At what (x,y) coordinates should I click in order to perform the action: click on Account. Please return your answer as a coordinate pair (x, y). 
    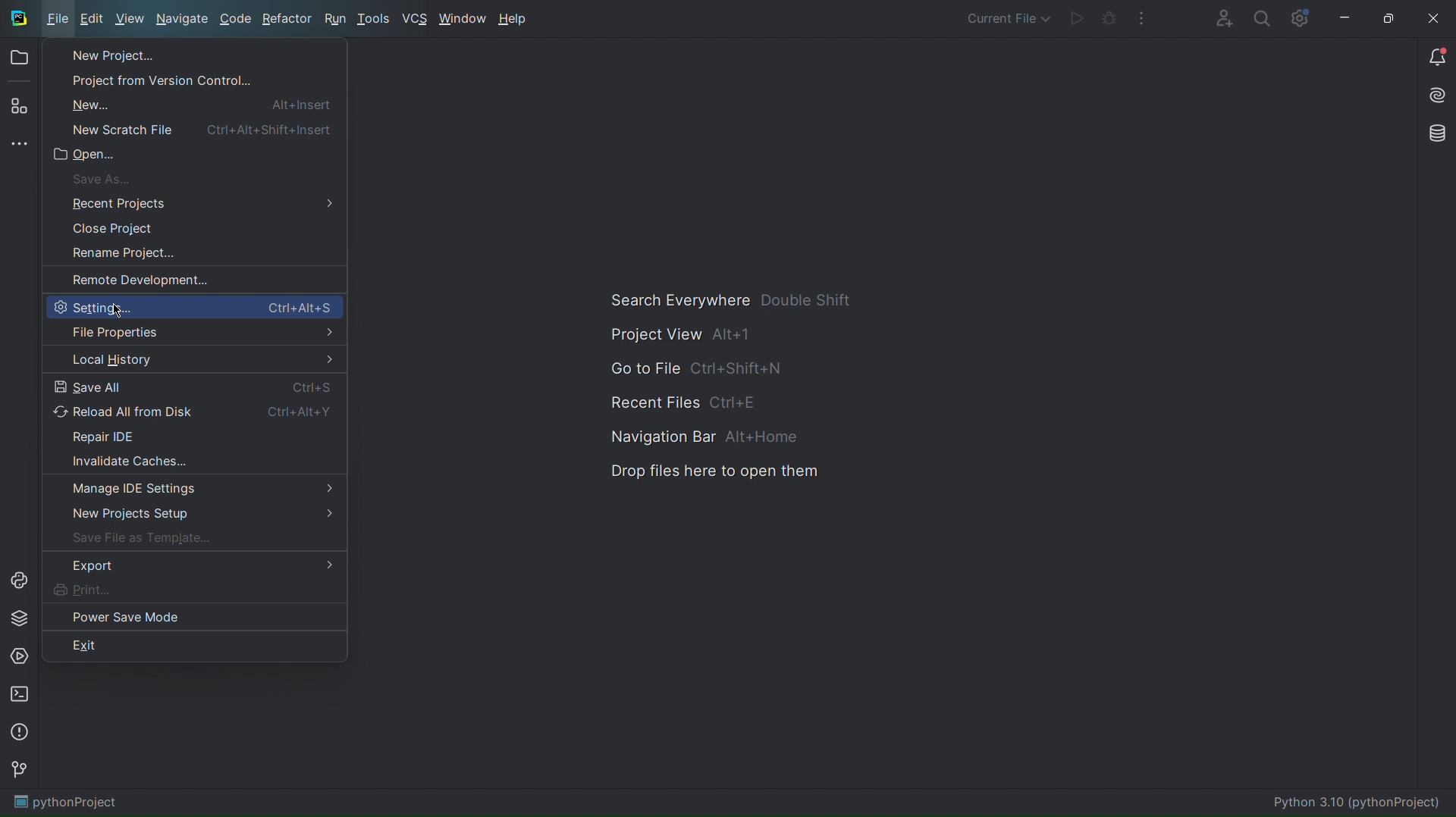
    Looking at the image, I should click on (1221, 17).